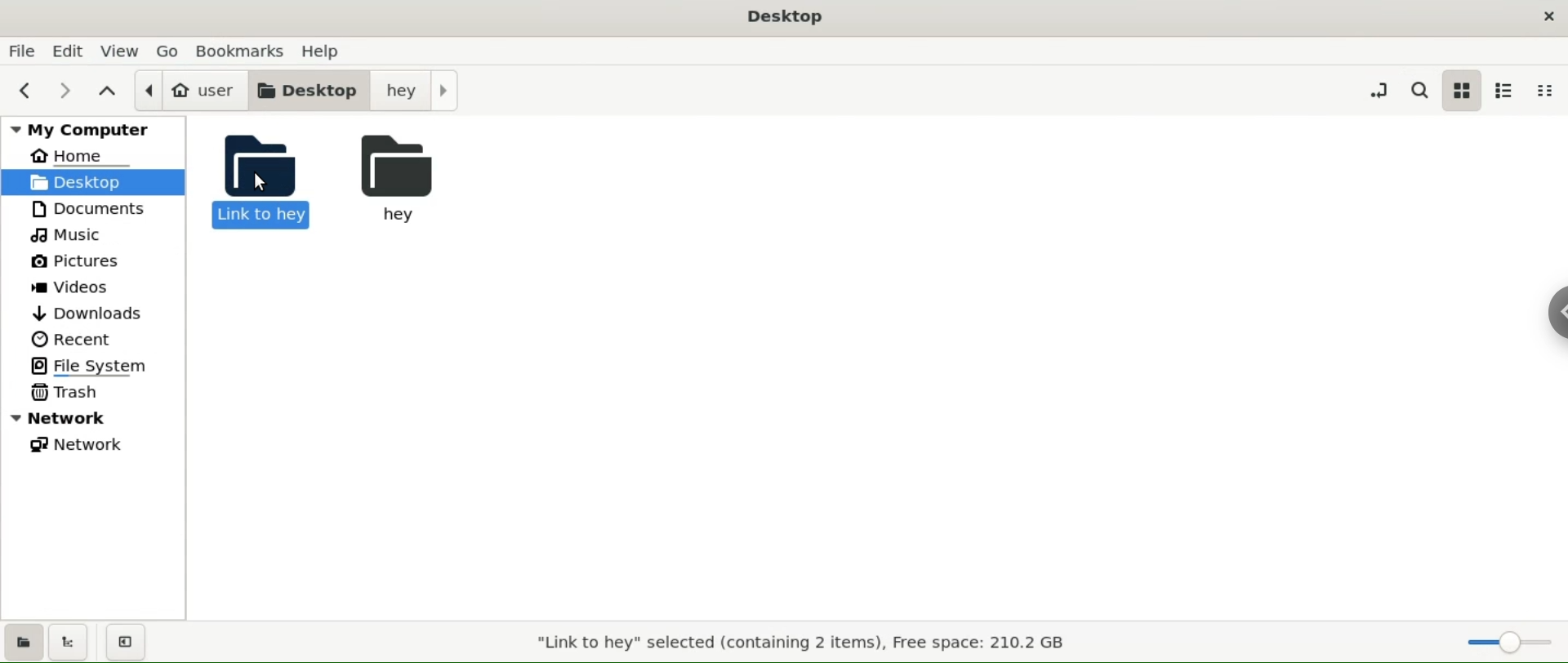  Describe the element at coordinates (93, 183) in the screenshot. I see `desktop` at that location.